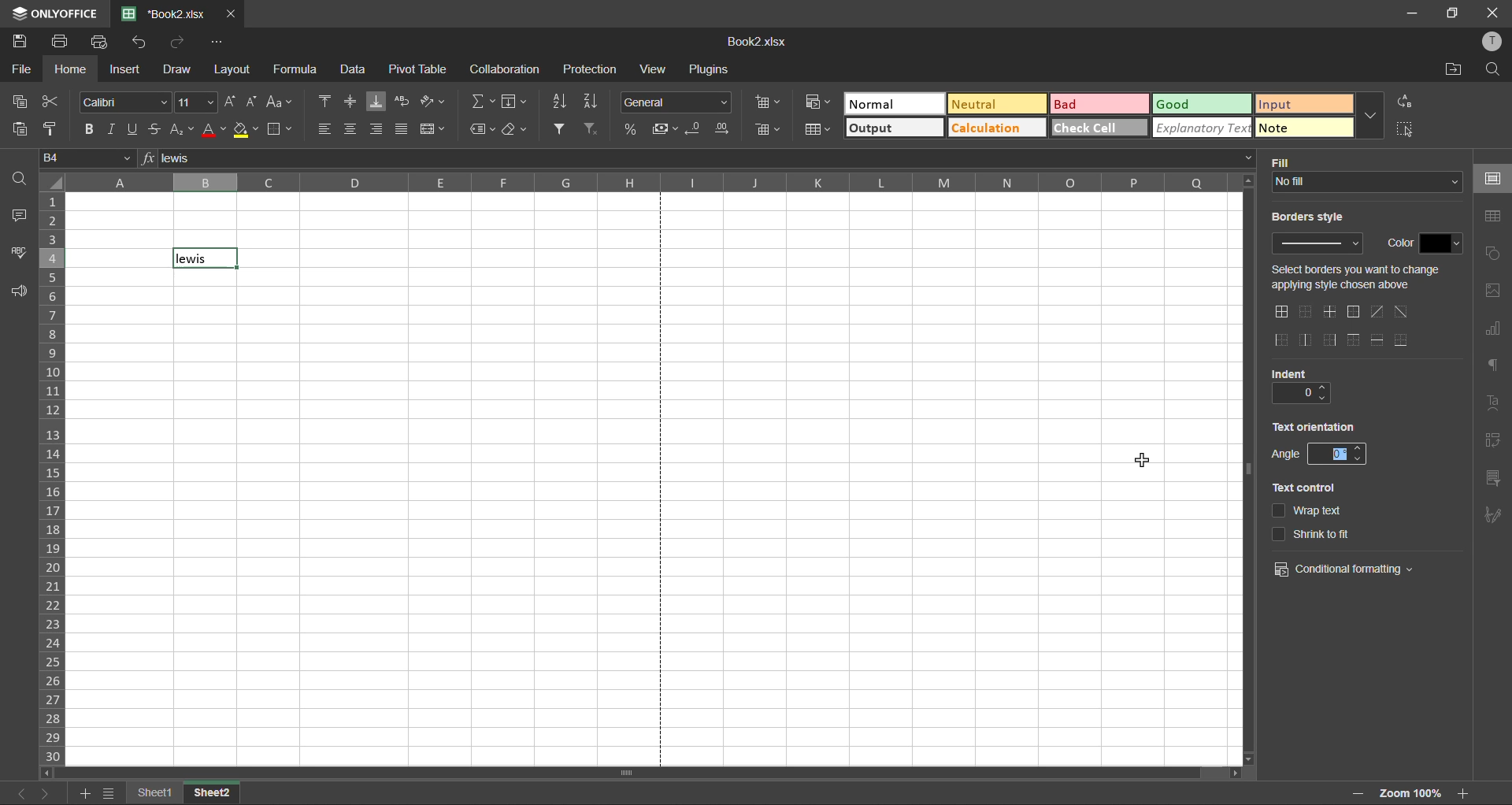  What do you see at coordinates (768, 131) in the screenshot?
I see `delete cells` at bounding box center [768, 131].